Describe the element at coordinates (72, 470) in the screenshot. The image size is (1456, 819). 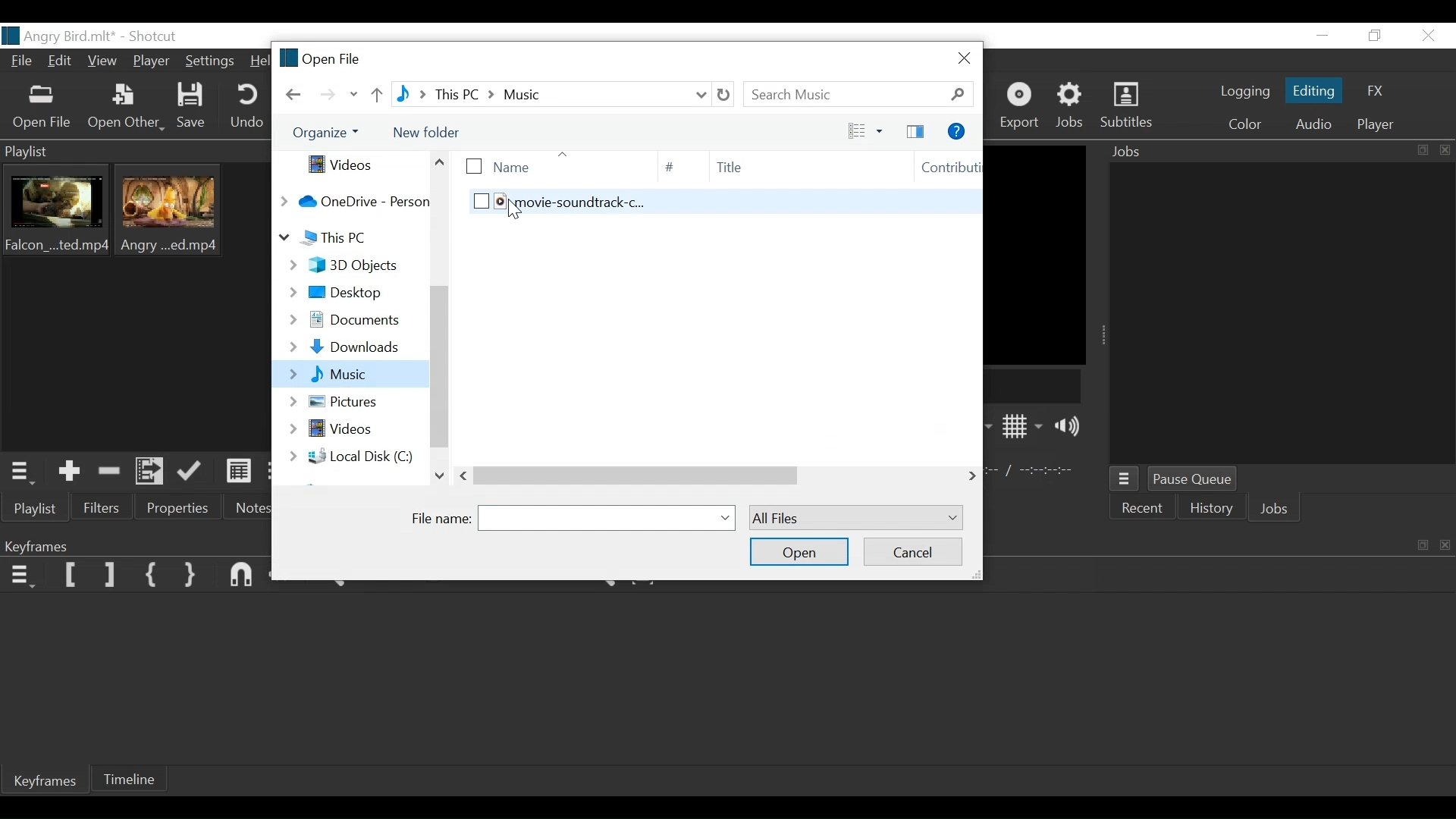
I see `Add the source to the playlist` at that location.